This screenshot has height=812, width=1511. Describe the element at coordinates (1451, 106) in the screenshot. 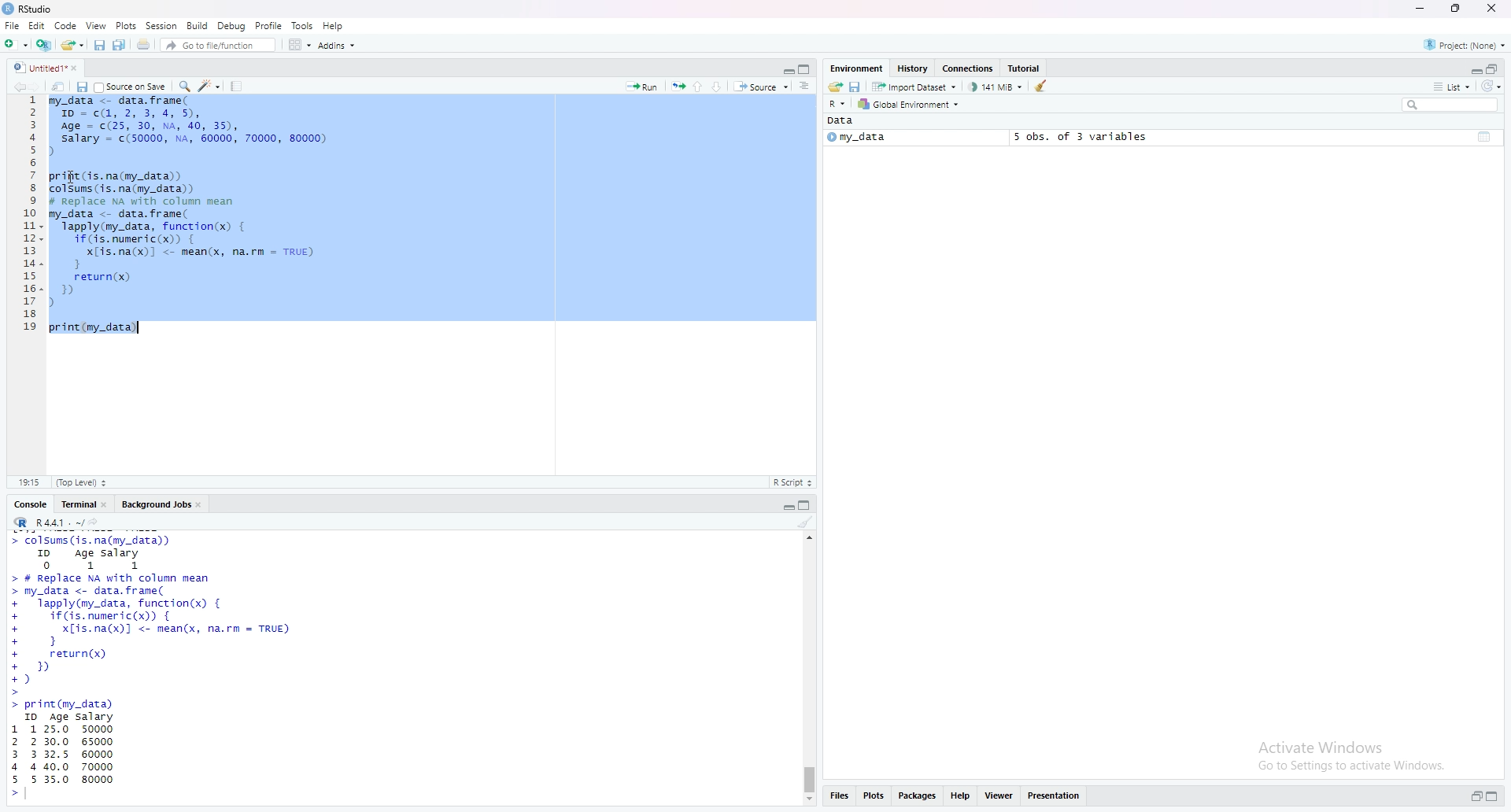

I see `search ` at that location.